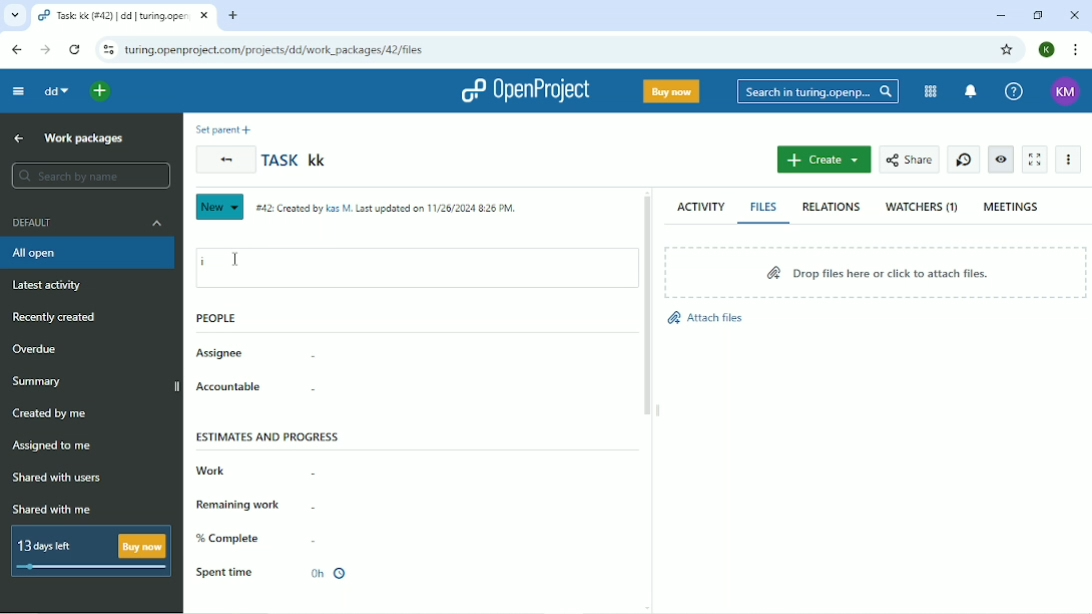 The image size is (1092, 614). Describe the element at coordinates (1073, 49) in the screenshot. I see `Customize and control google chrome` at that location.